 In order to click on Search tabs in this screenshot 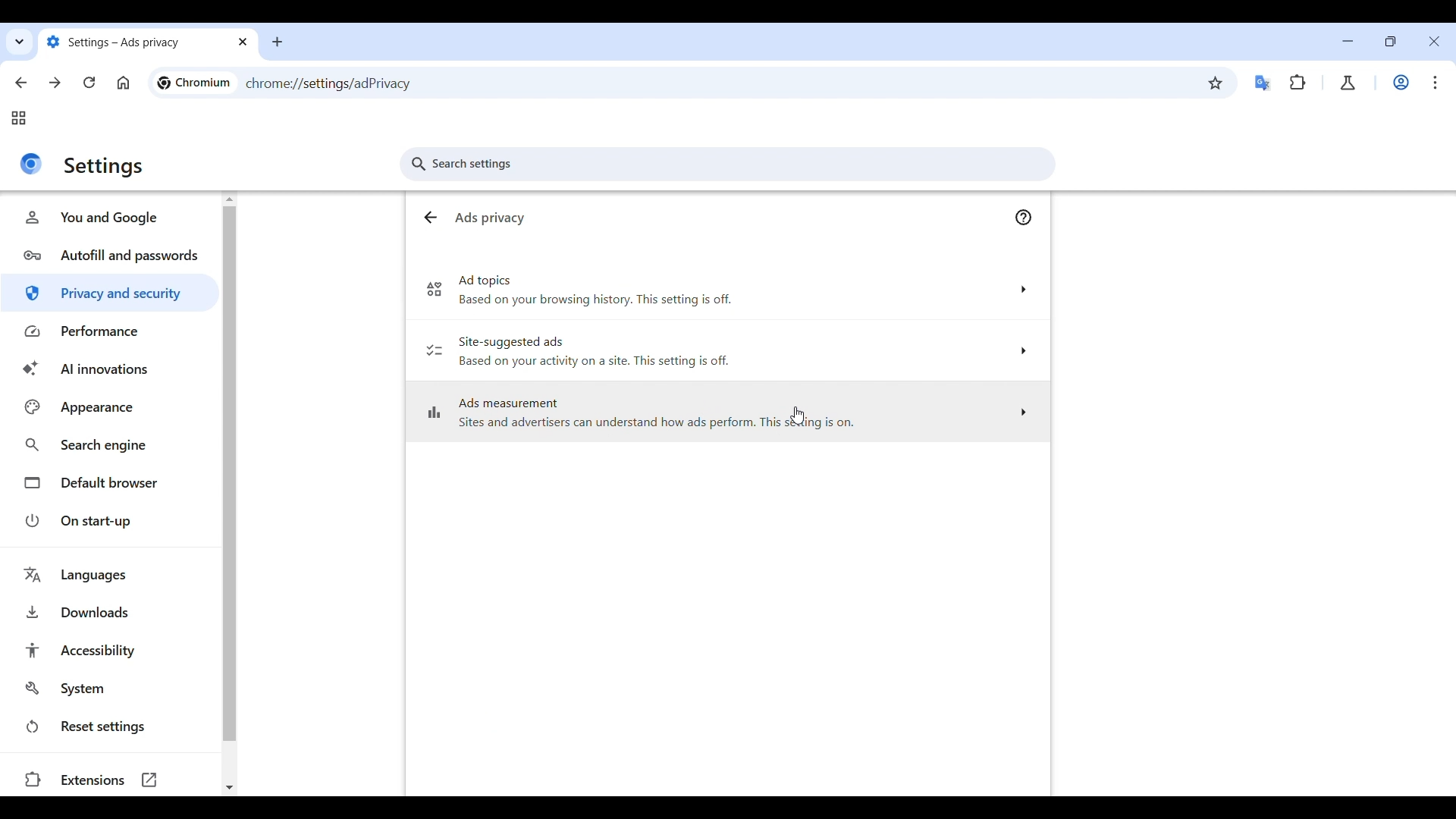, I will do `click(20, 42)`.